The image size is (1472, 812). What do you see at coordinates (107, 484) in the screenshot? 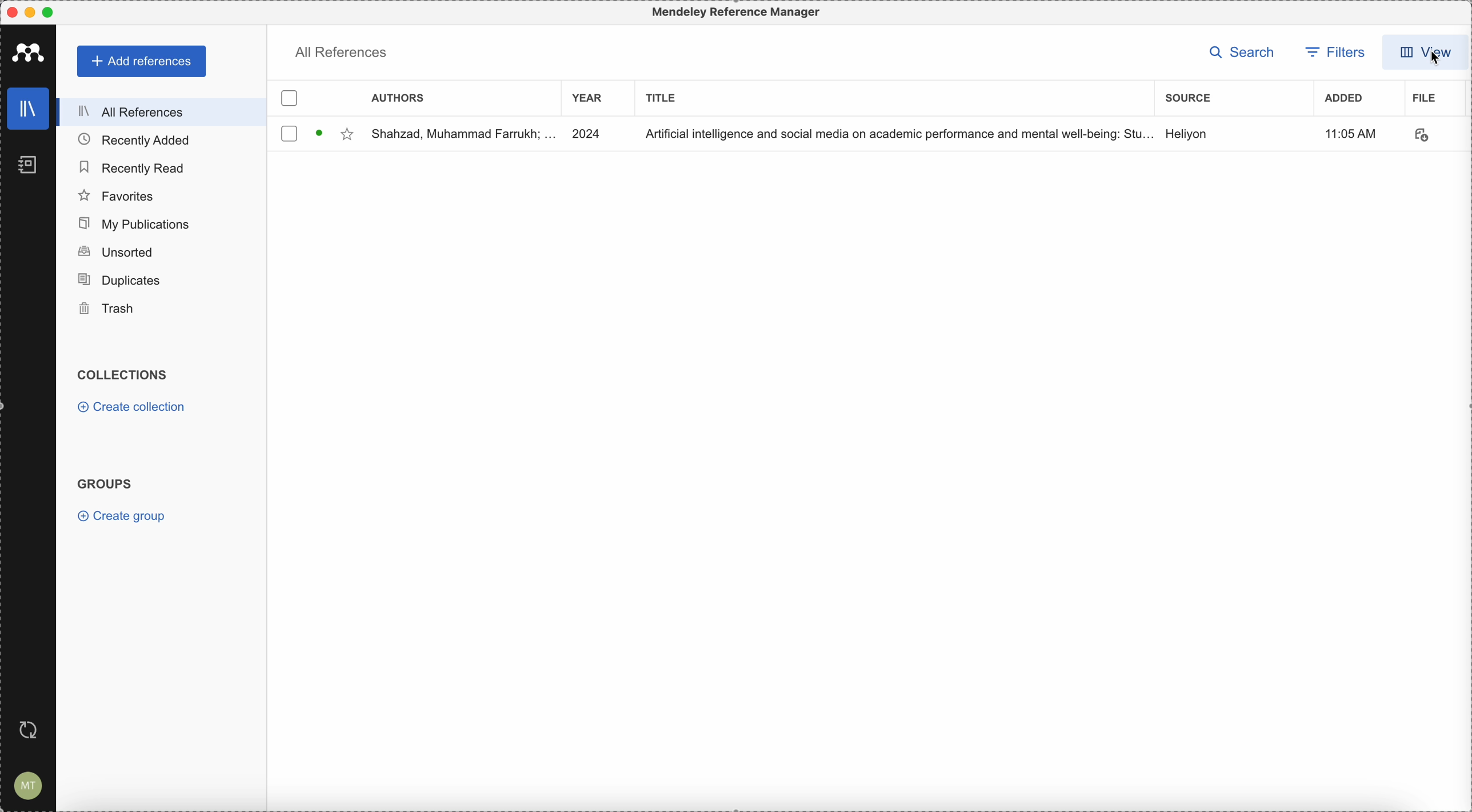
I see `groups` at bounding box center [107, 484].